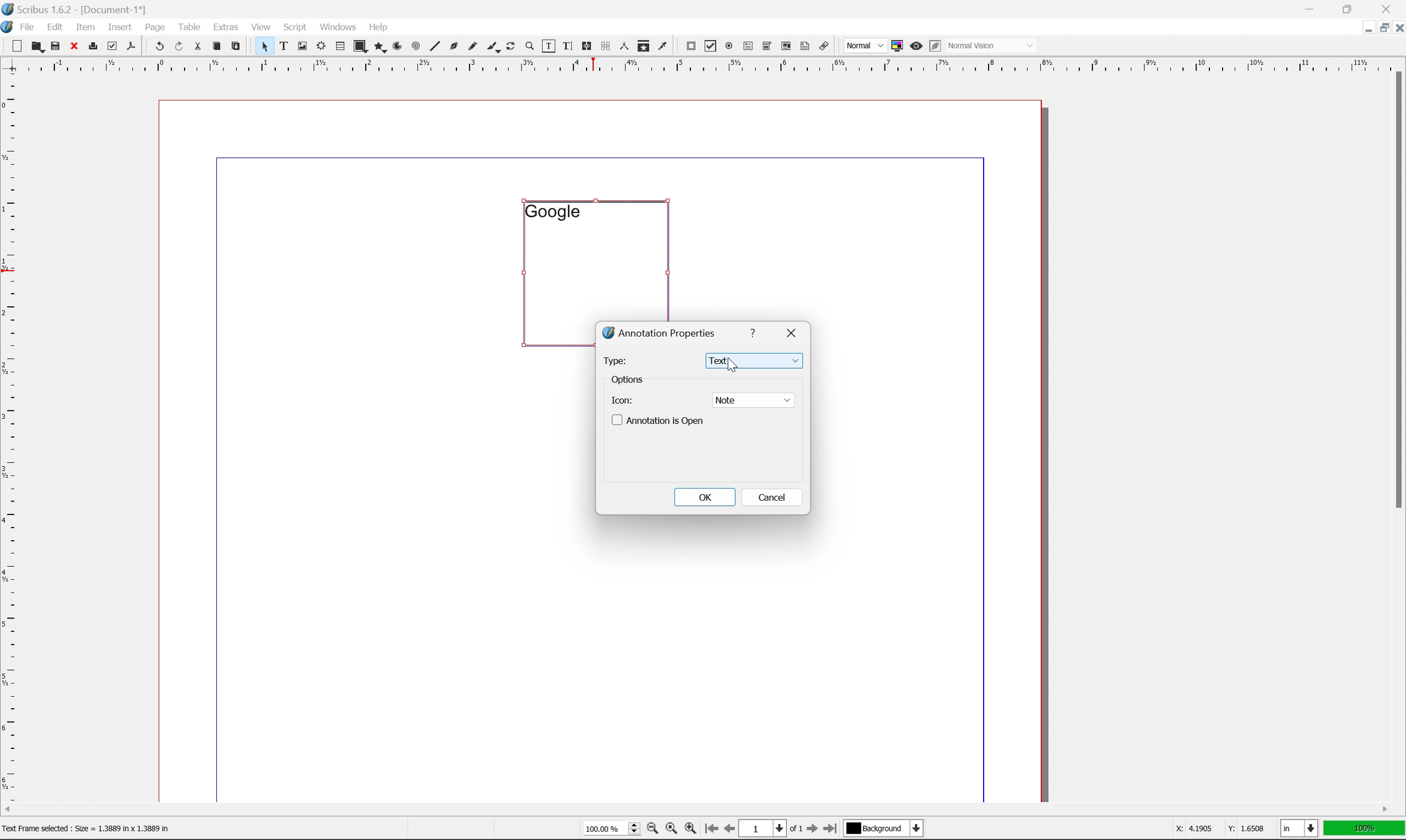 The height and width of the screenshot is (840, 1406). Describe the element at coordinates (770, 830) in the screenshot. I see `select current page` at that location.